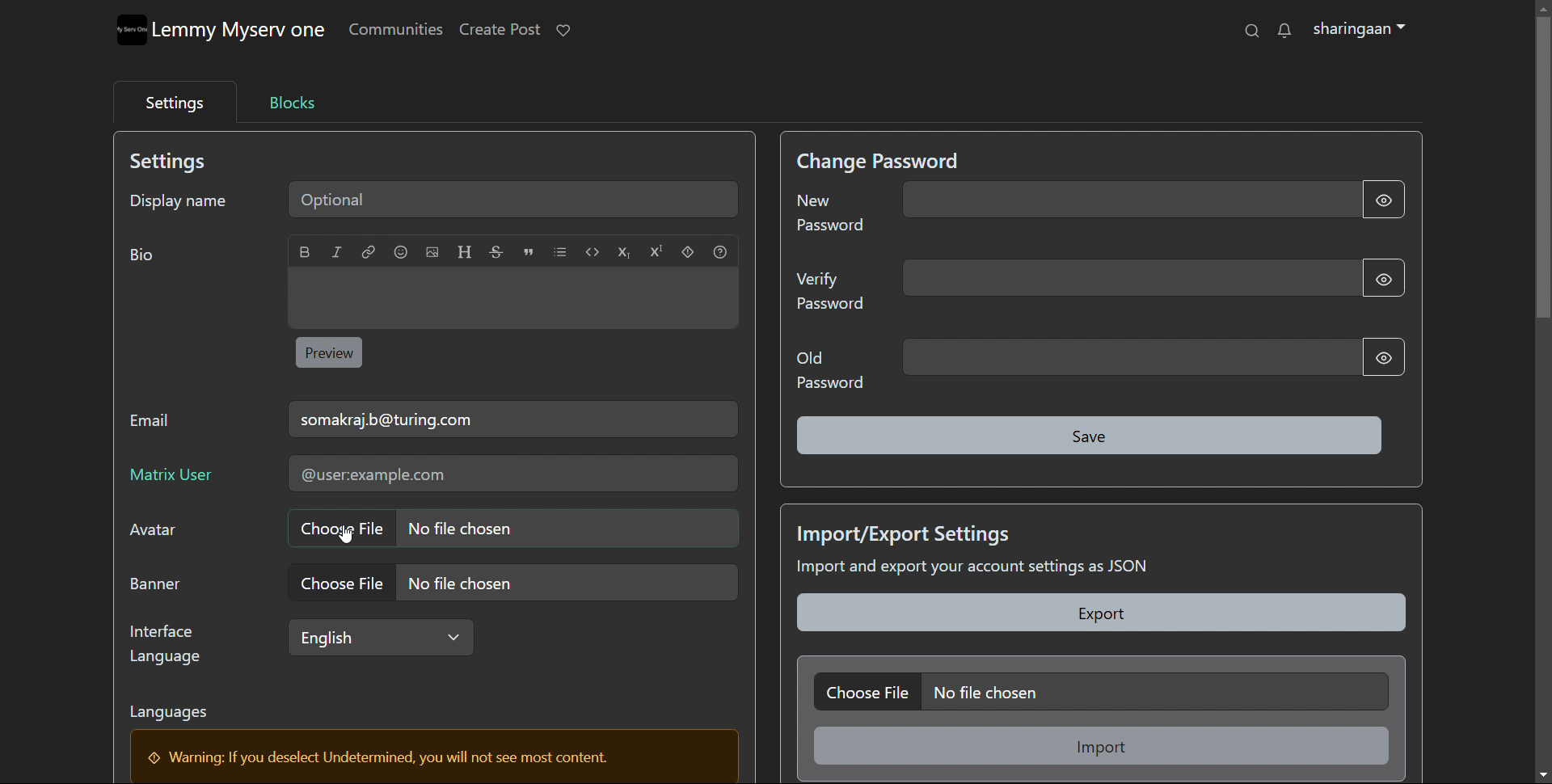 The height and width of the screenshot is (784, 1552). Describe the element at coordinates (830, 295) in the screenshot. I see `Verify Password` at that location.